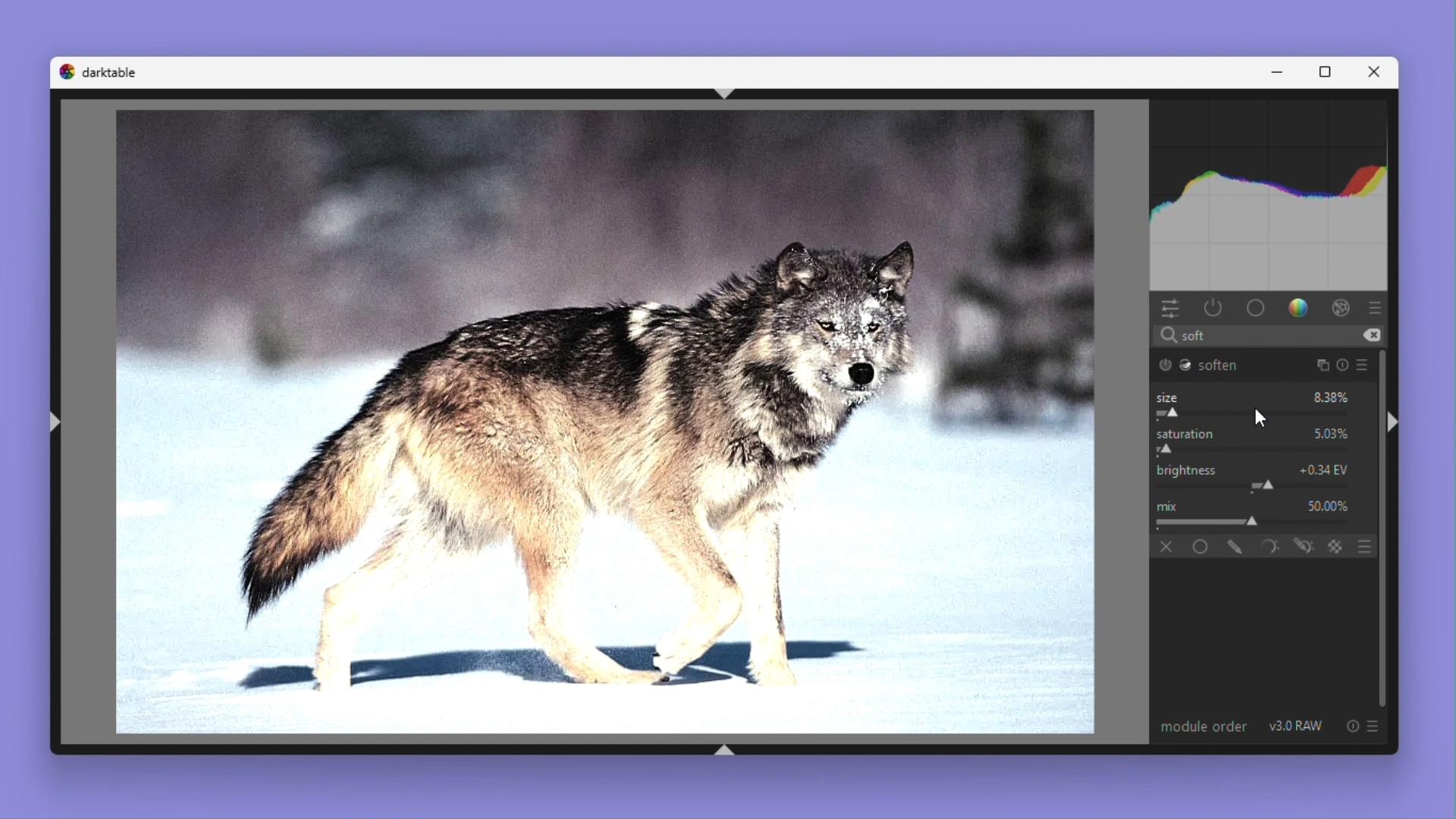 The image size is (1456, 819). Describe the element at coordinates (1328, 504) in the screenshot. I see `Value ` at that location.